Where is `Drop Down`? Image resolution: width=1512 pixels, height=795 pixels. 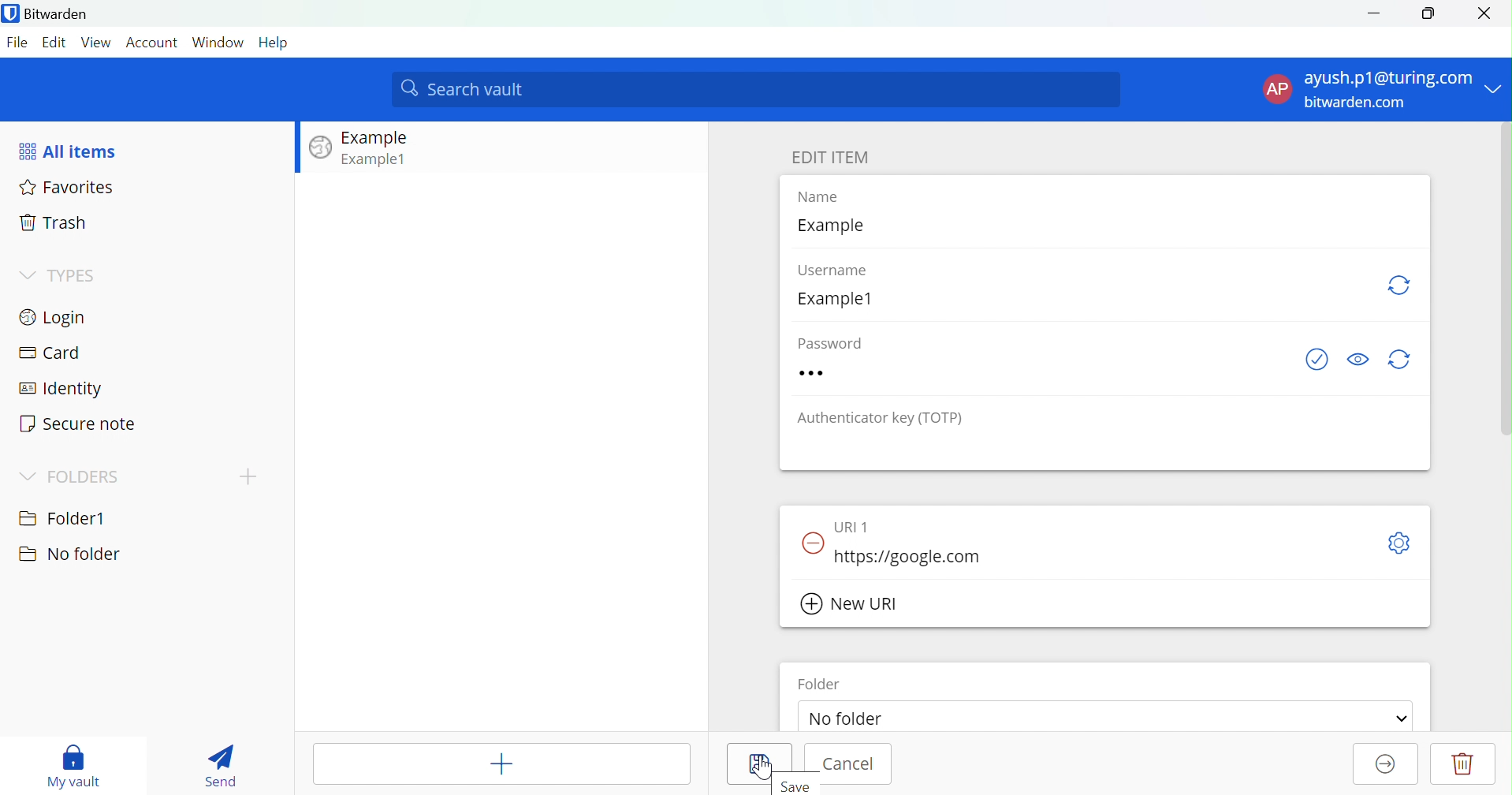
Drop Down is located at coordinates (1496, 84).